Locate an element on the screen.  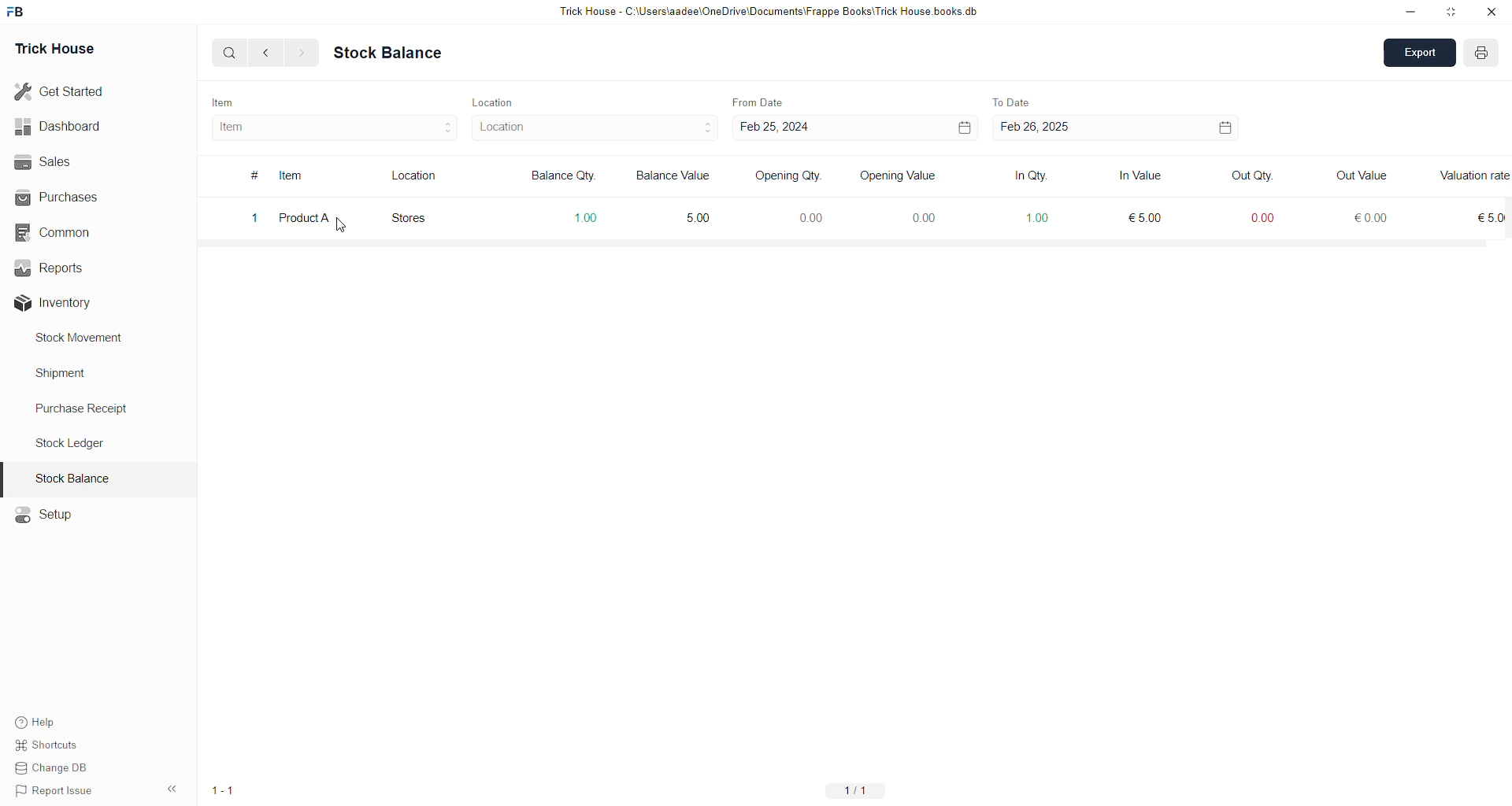
Dashboard is located at coordinates (57, 129).